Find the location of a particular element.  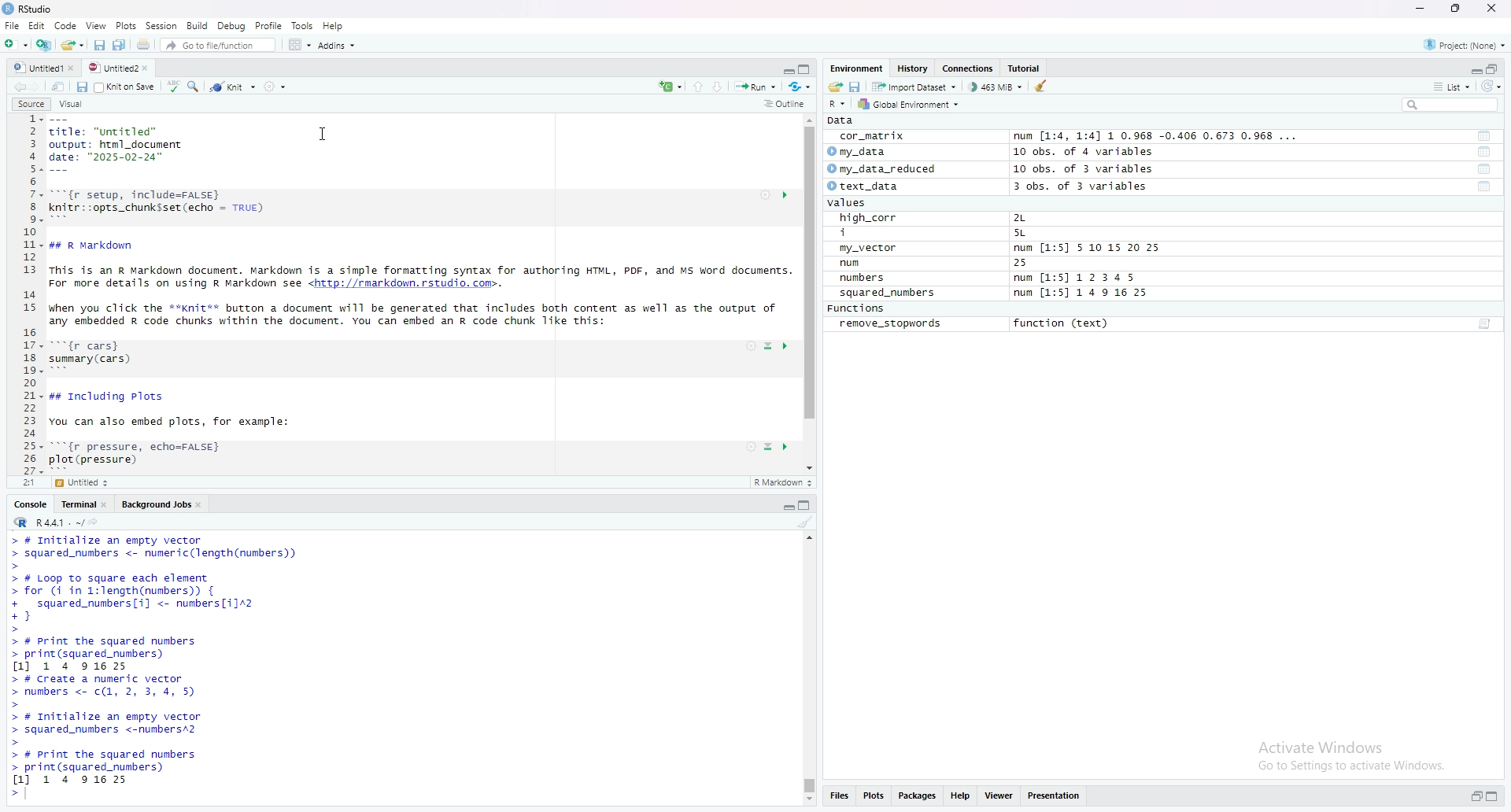

Environment is located at coordinates (854, 68).